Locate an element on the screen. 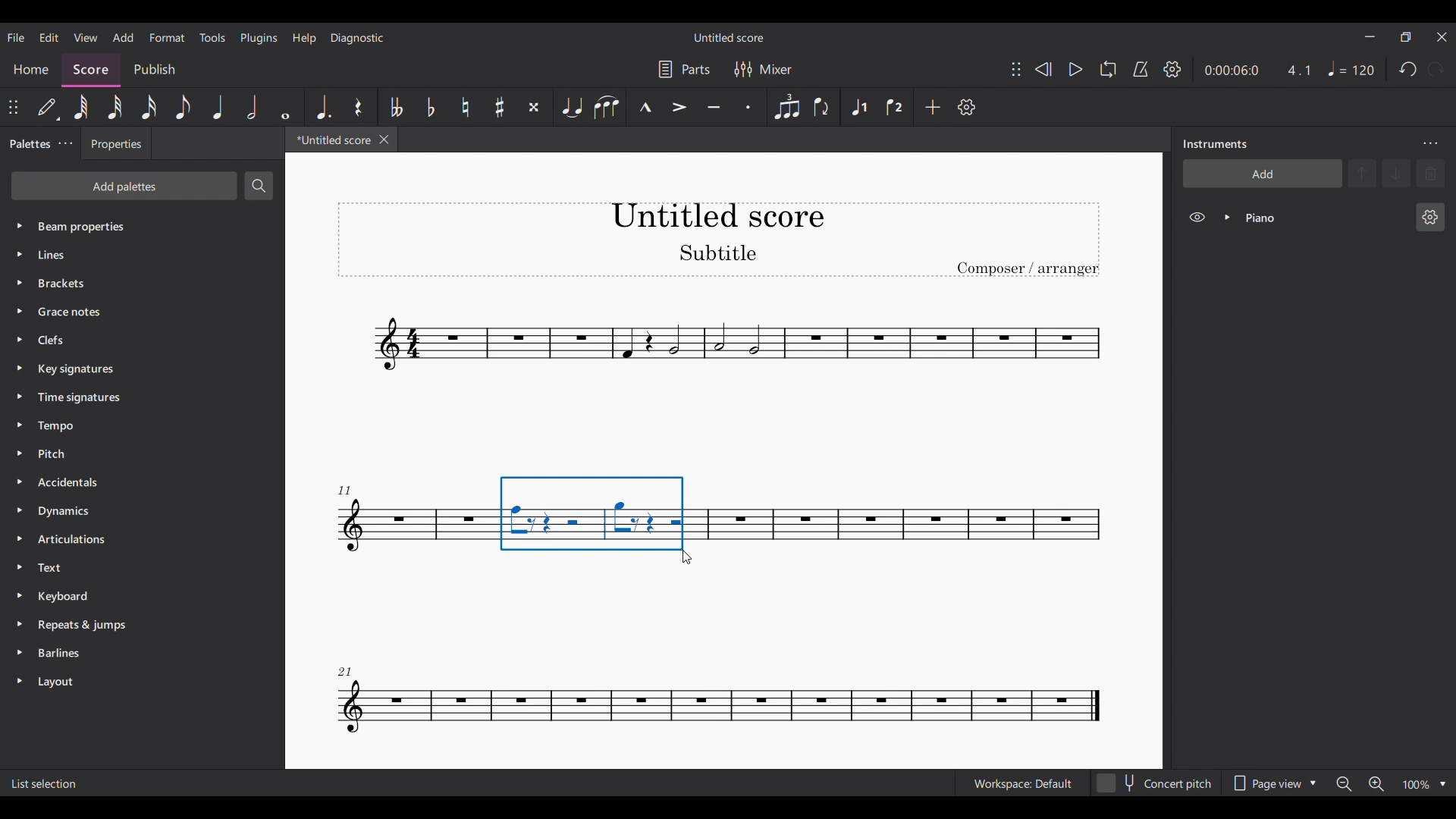  Score title, sub-title and composer / arranger is located at coordinates (718, 240).